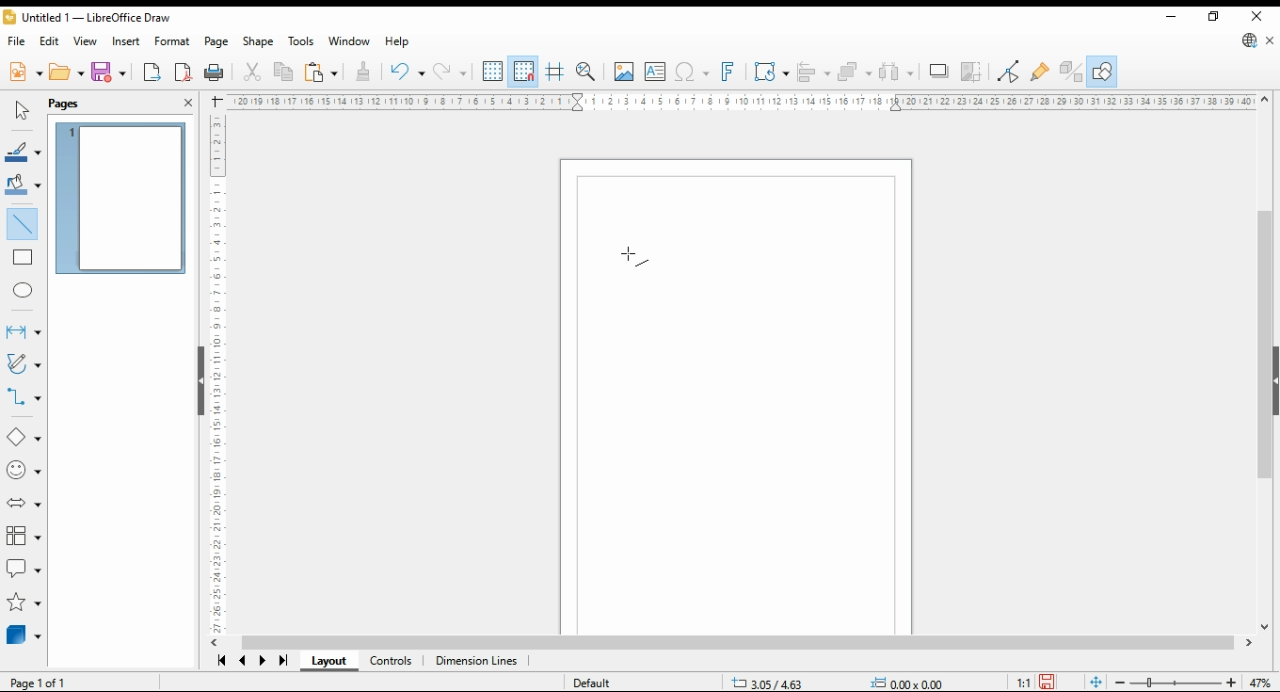 This screenshot has width=1280, height=692. I want to click on shadows, so click(938, 72).